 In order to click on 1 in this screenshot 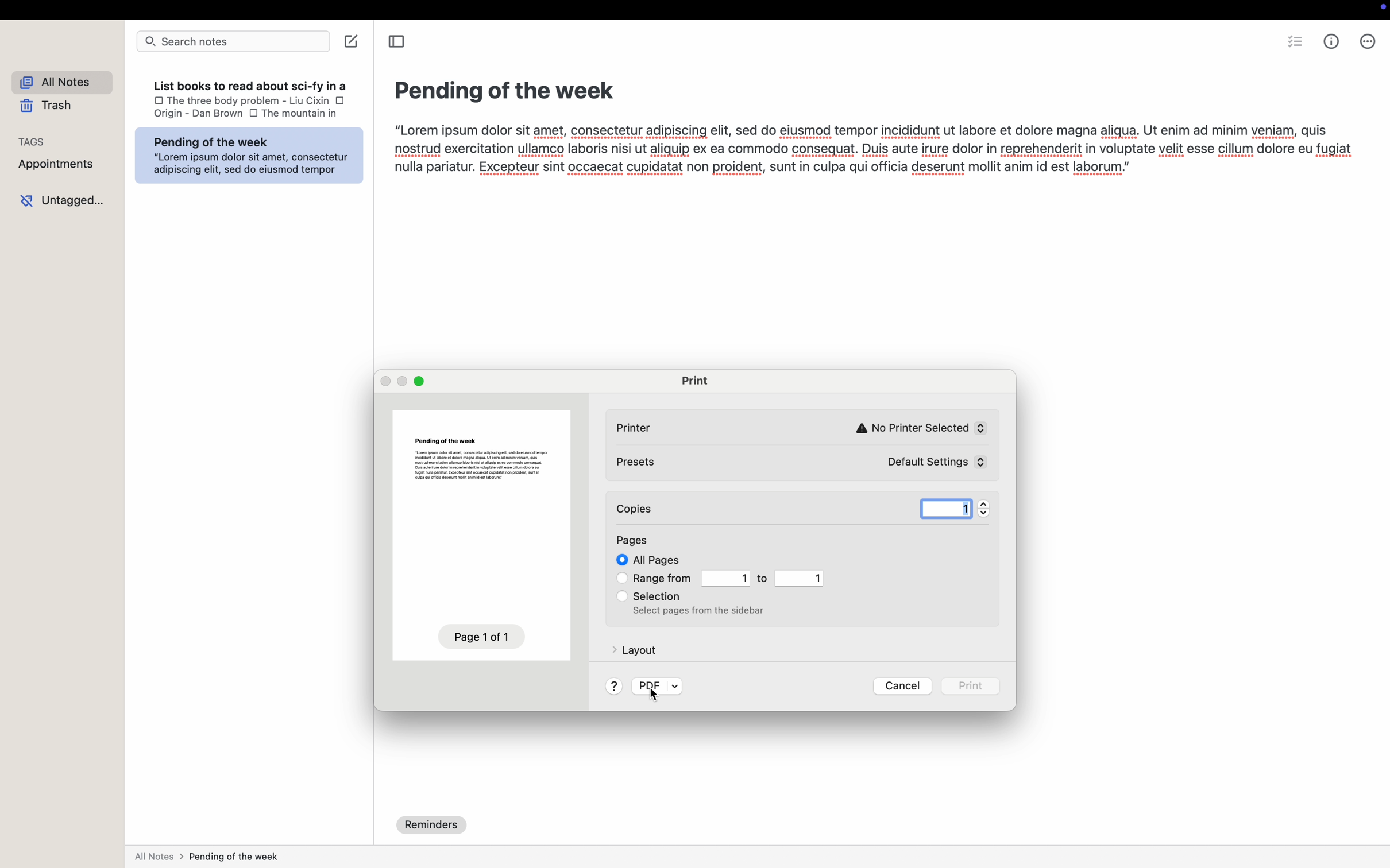, I will do `click(725, 578)`.